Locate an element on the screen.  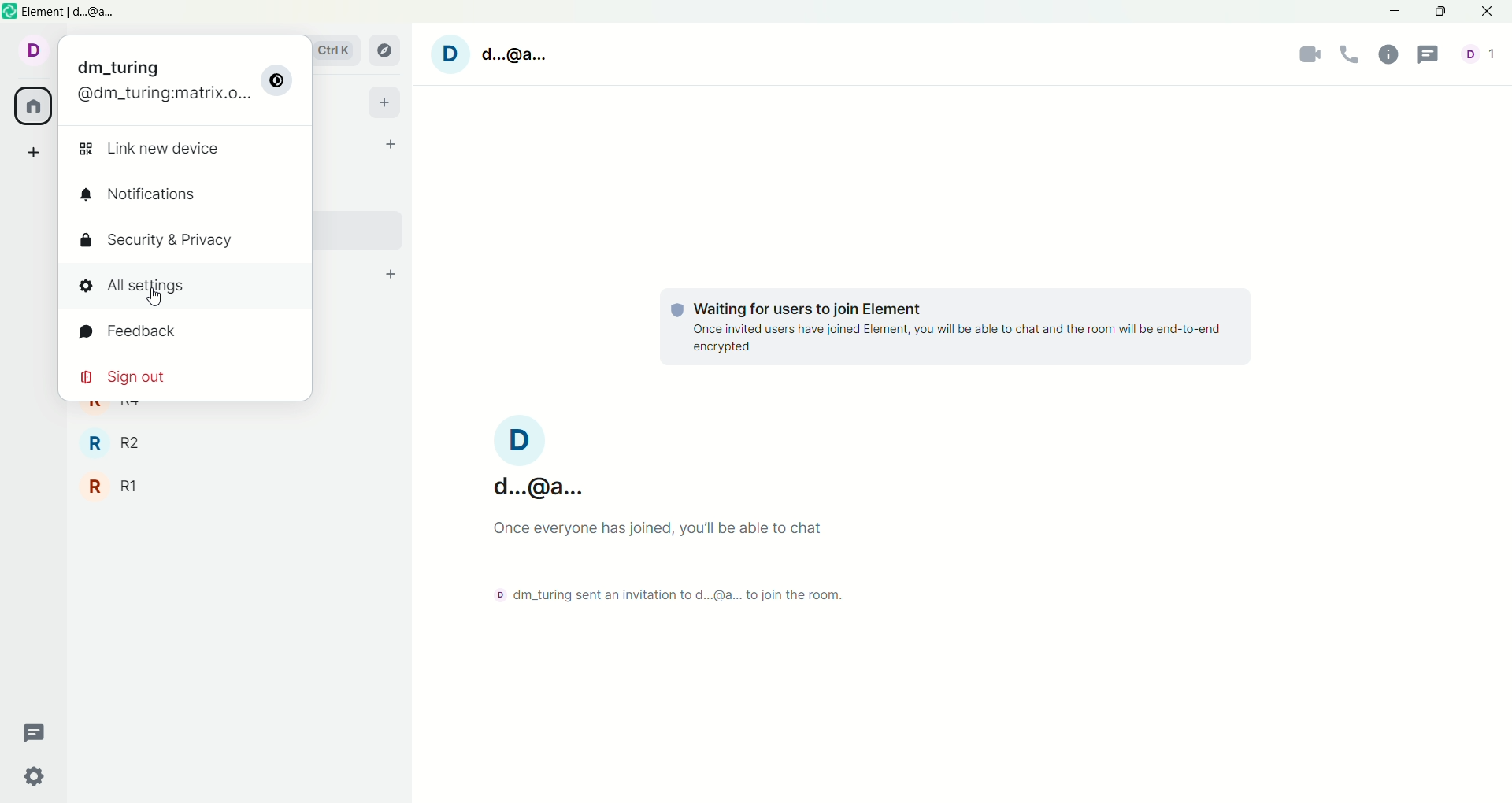
d  D..@a.. is located at coordinates (536, 460).